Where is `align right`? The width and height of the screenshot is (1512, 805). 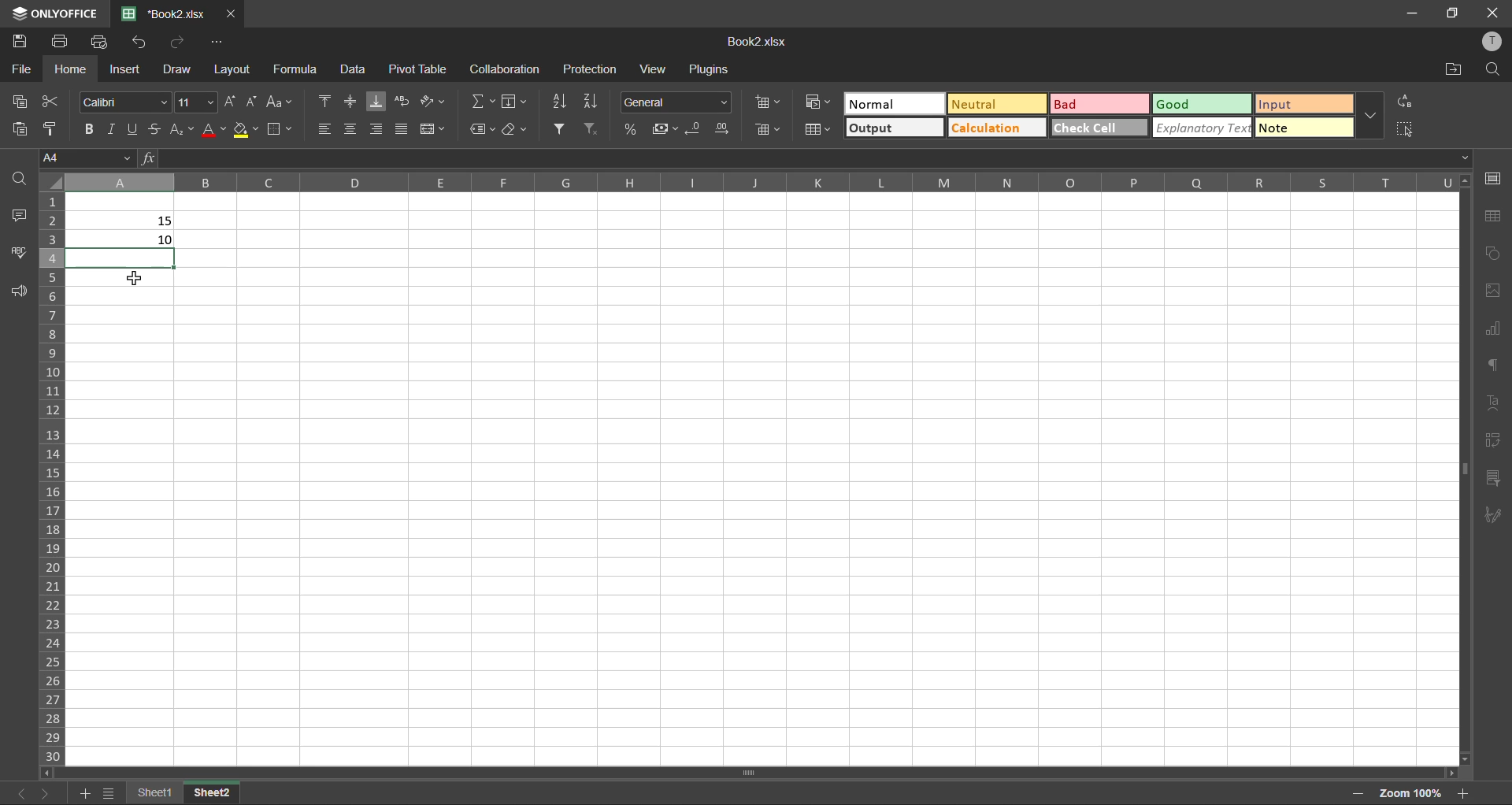 align right is located at coordinates (379, 128).